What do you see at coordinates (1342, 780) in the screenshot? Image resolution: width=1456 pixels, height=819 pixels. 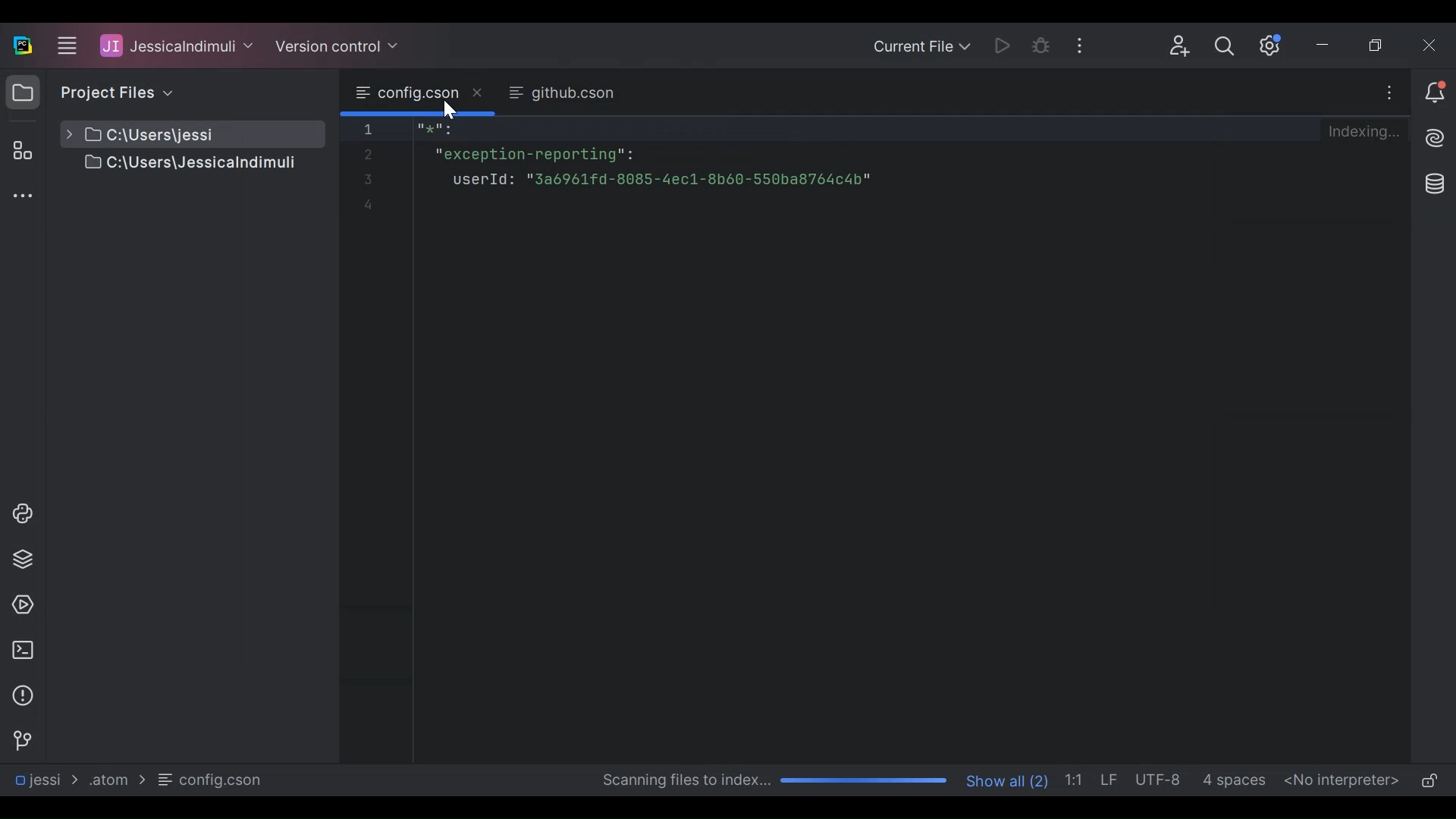 I see `No interpreters` at bounding box center [1342, 780].